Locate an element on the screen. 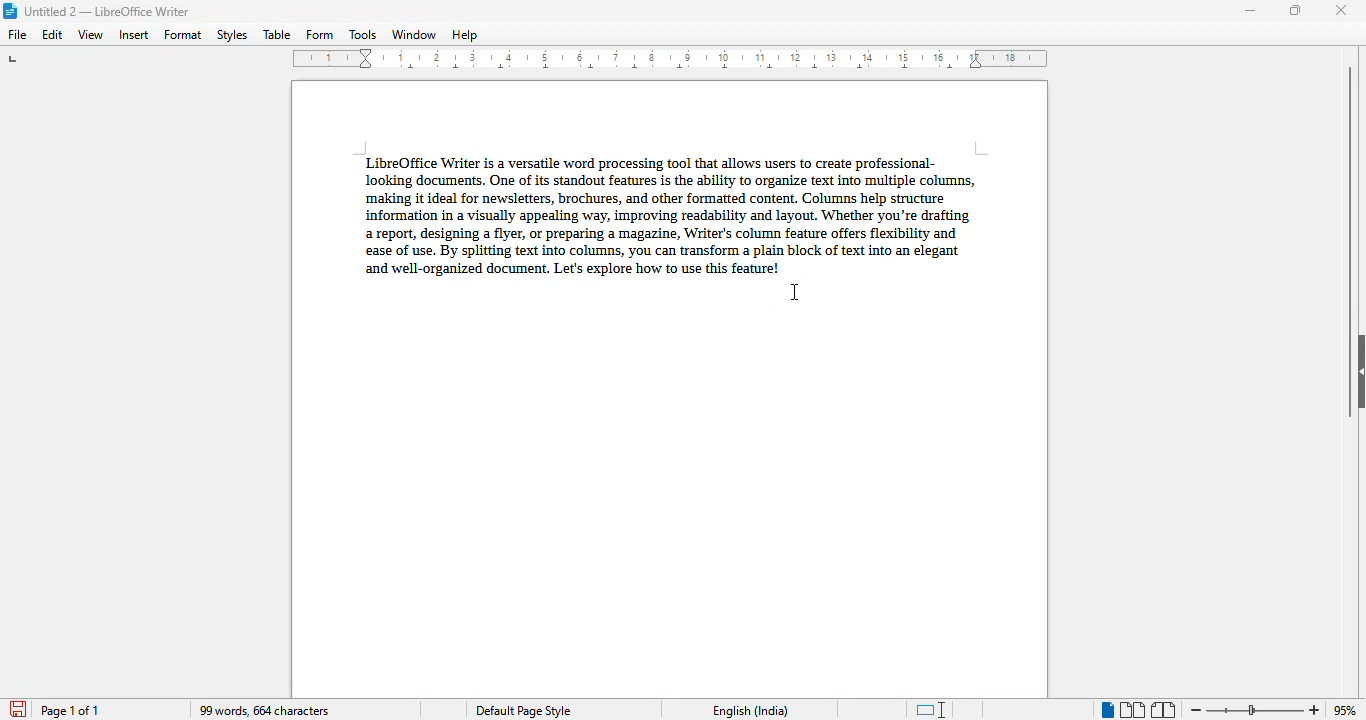 The height and width of the screenshot is (720, 1366). close is located at coordinates (1343, 9).